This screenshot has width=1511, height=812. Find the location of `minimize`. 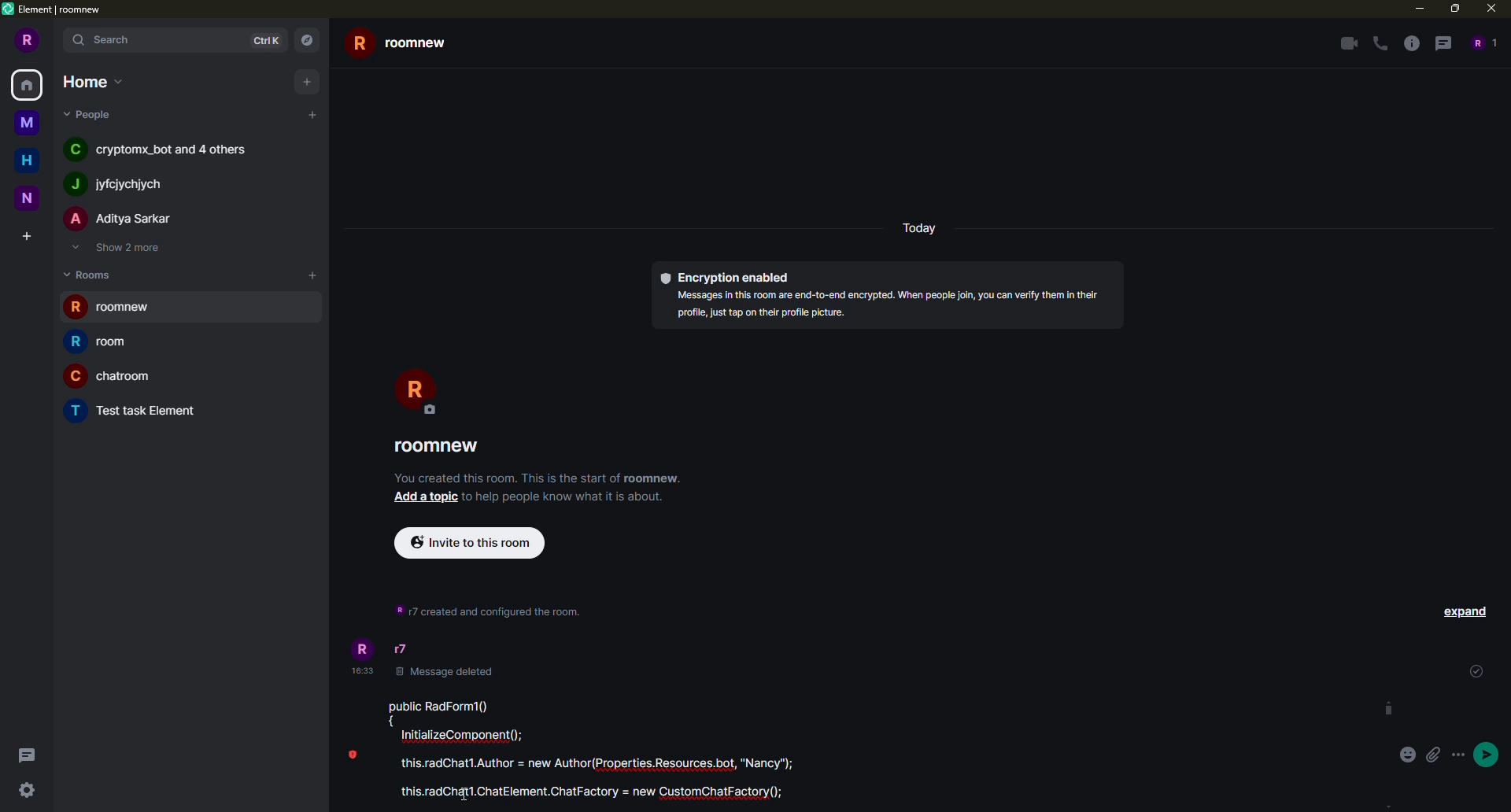

minimize is located at coordinates (1417, 8).